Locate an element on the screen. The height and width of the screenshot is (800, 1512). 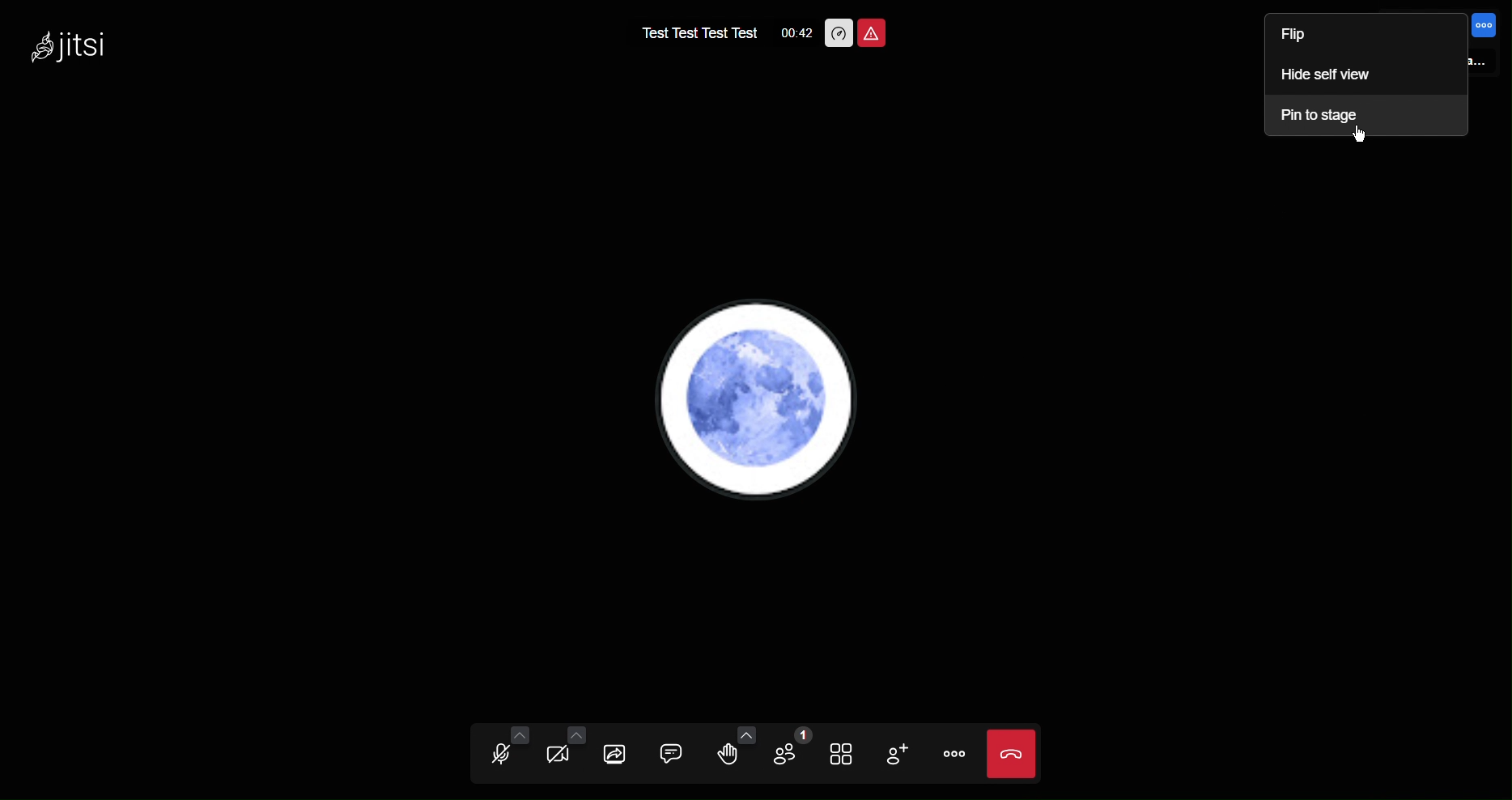
Unsafe Meeting is located at coordinates (874, 32).